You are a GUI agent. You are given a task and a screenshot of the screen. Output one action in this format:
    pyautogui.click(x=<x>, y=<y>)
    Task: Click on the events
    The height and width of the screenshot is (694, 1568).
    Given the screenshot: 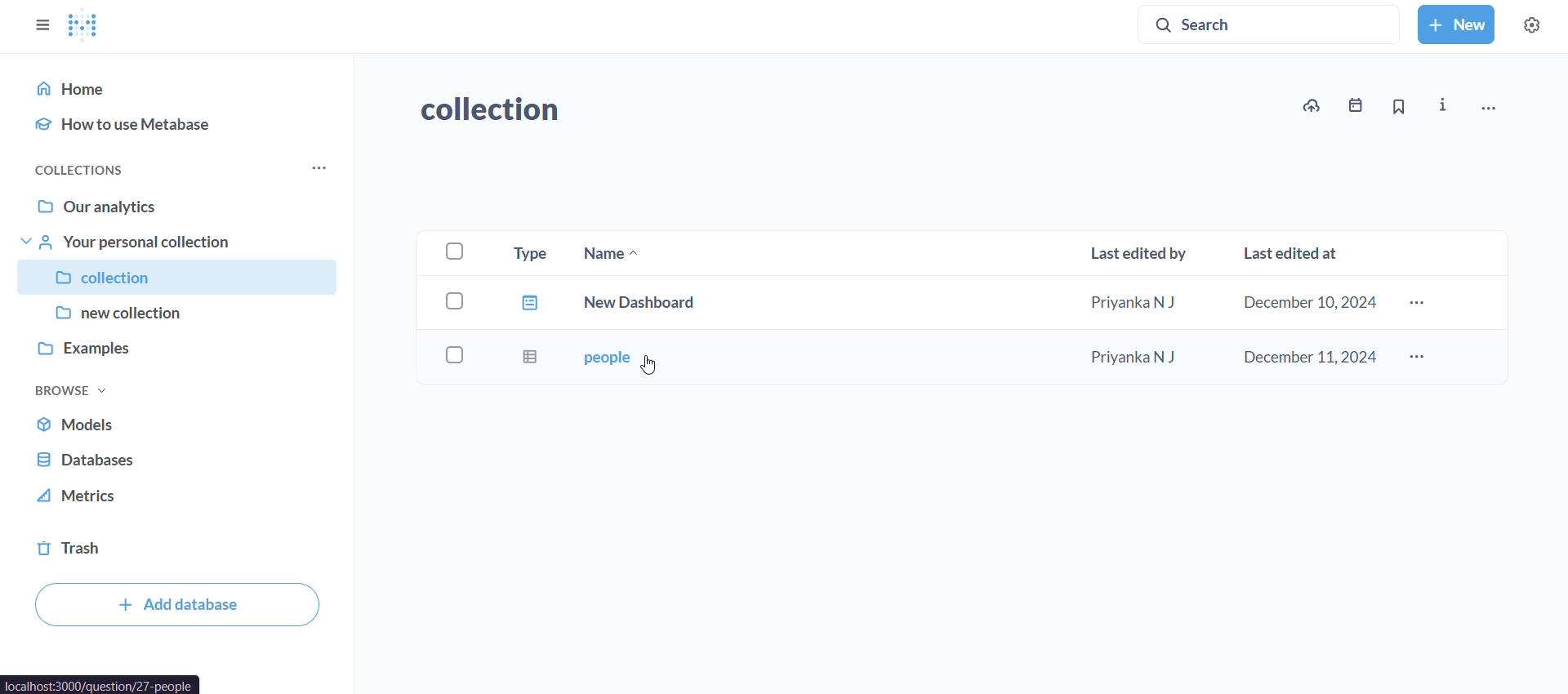 What is the action you would take?
    pyautogui.click(x=1365, y=107)
    